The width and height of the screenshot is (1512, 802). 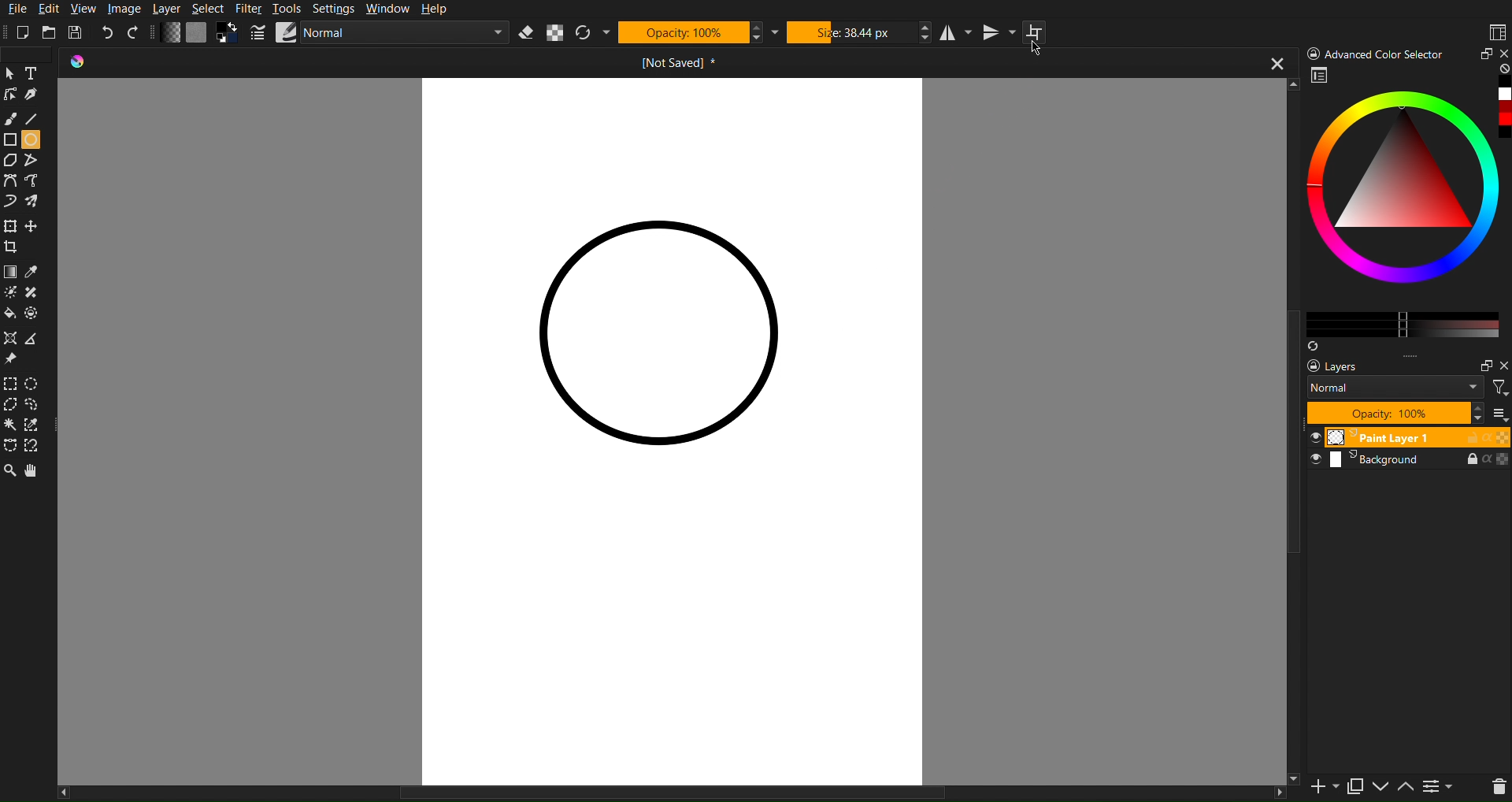 What do you see at coordinates (956, 32) in the screenshot?
I see `Horizontal Mirror` at bounding box center [956, 32].